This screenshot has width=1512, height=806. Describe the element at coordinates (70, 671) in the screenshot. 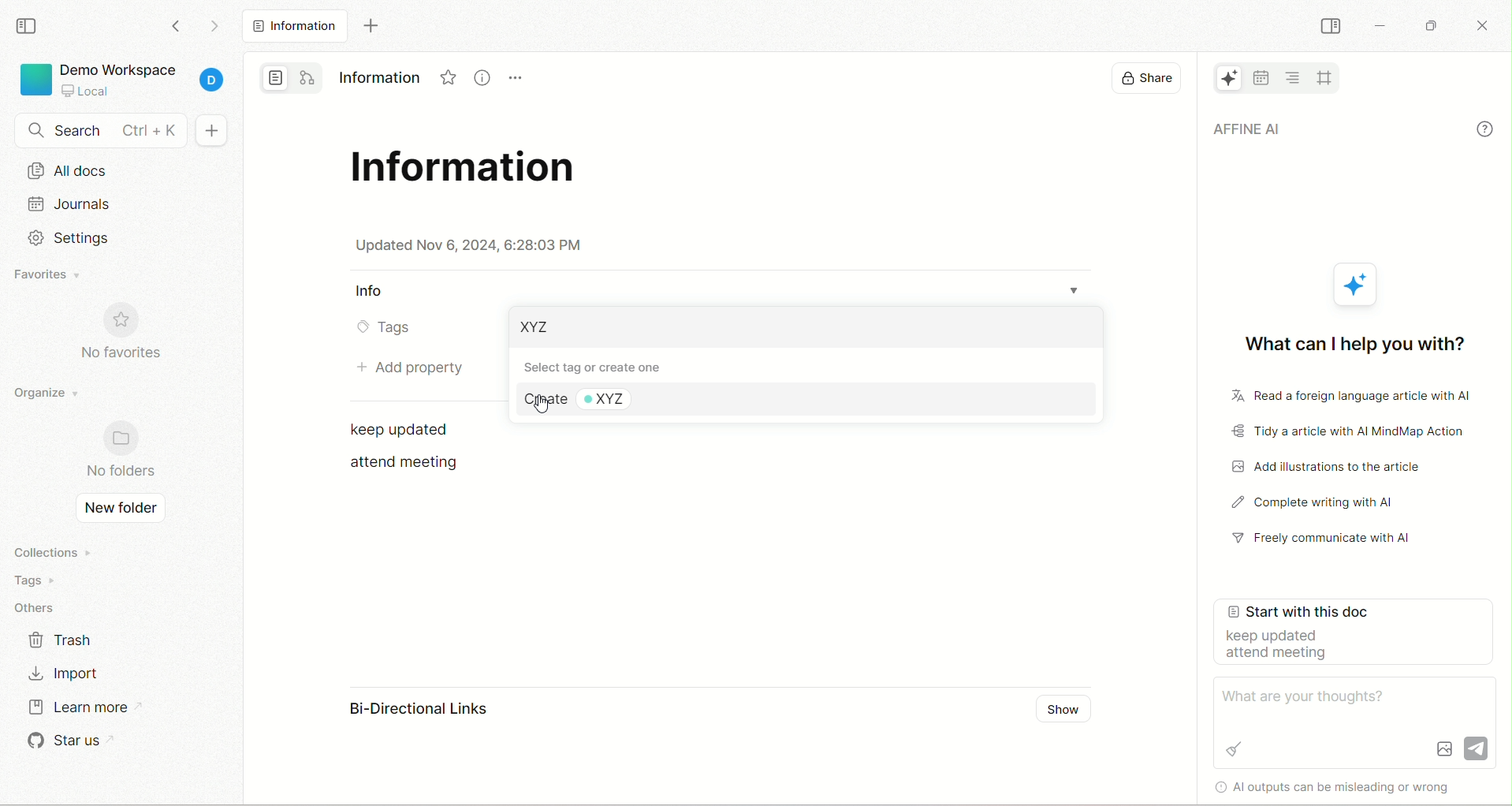

I see `import` at that location.